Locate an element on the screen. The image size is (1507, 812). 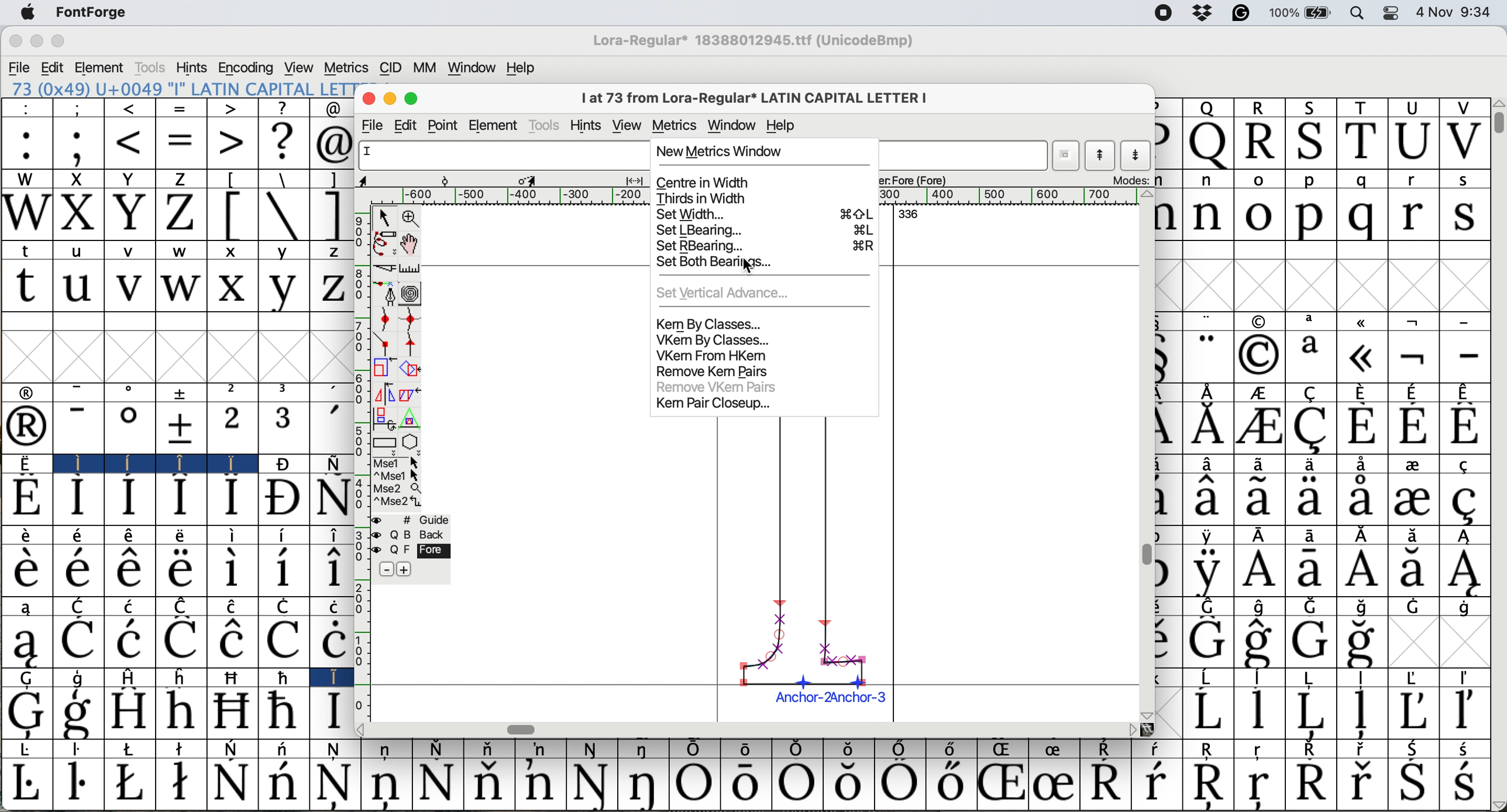
V is located at coordinates (1462, 108).